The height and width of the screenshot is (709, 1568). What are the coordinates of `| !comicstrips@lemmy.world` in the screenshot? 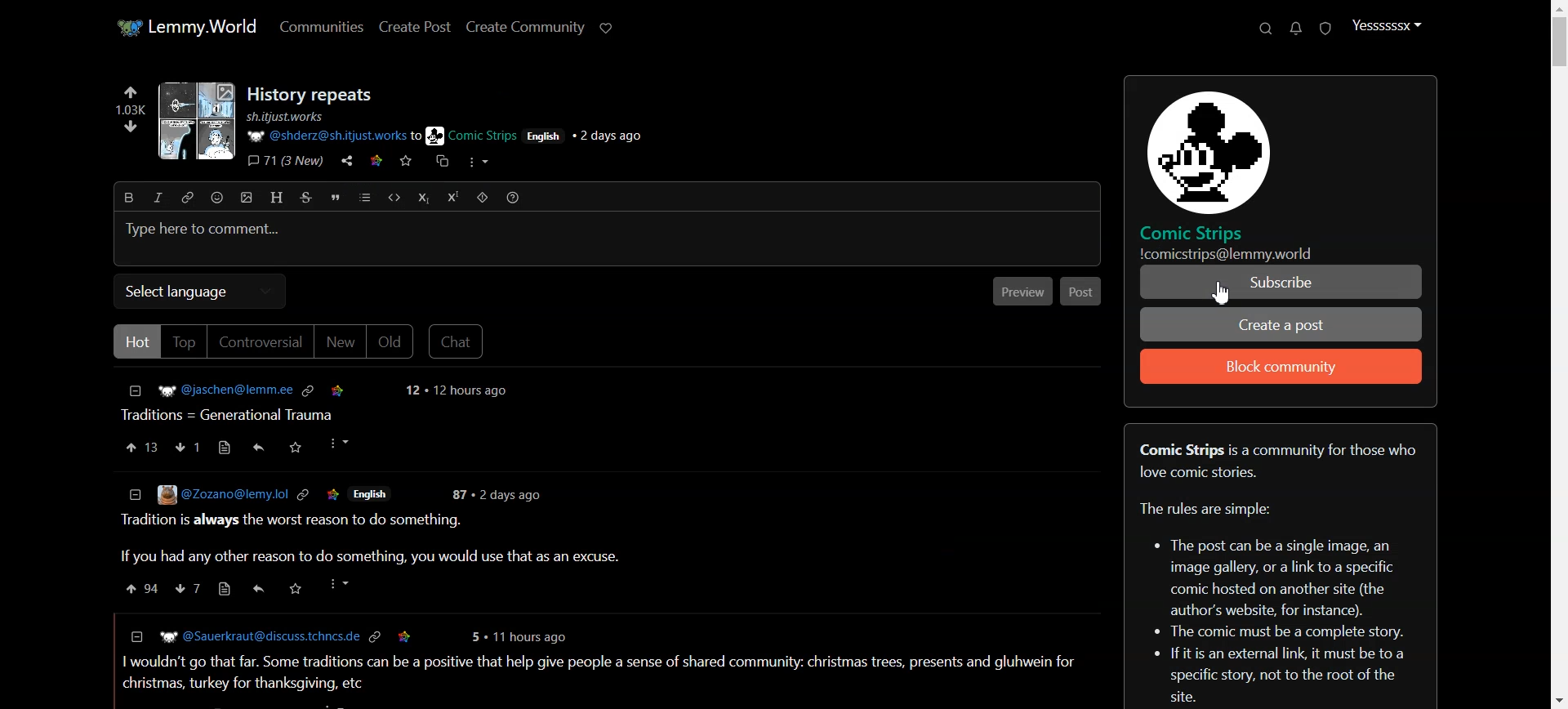 It's located at (1223, 254).